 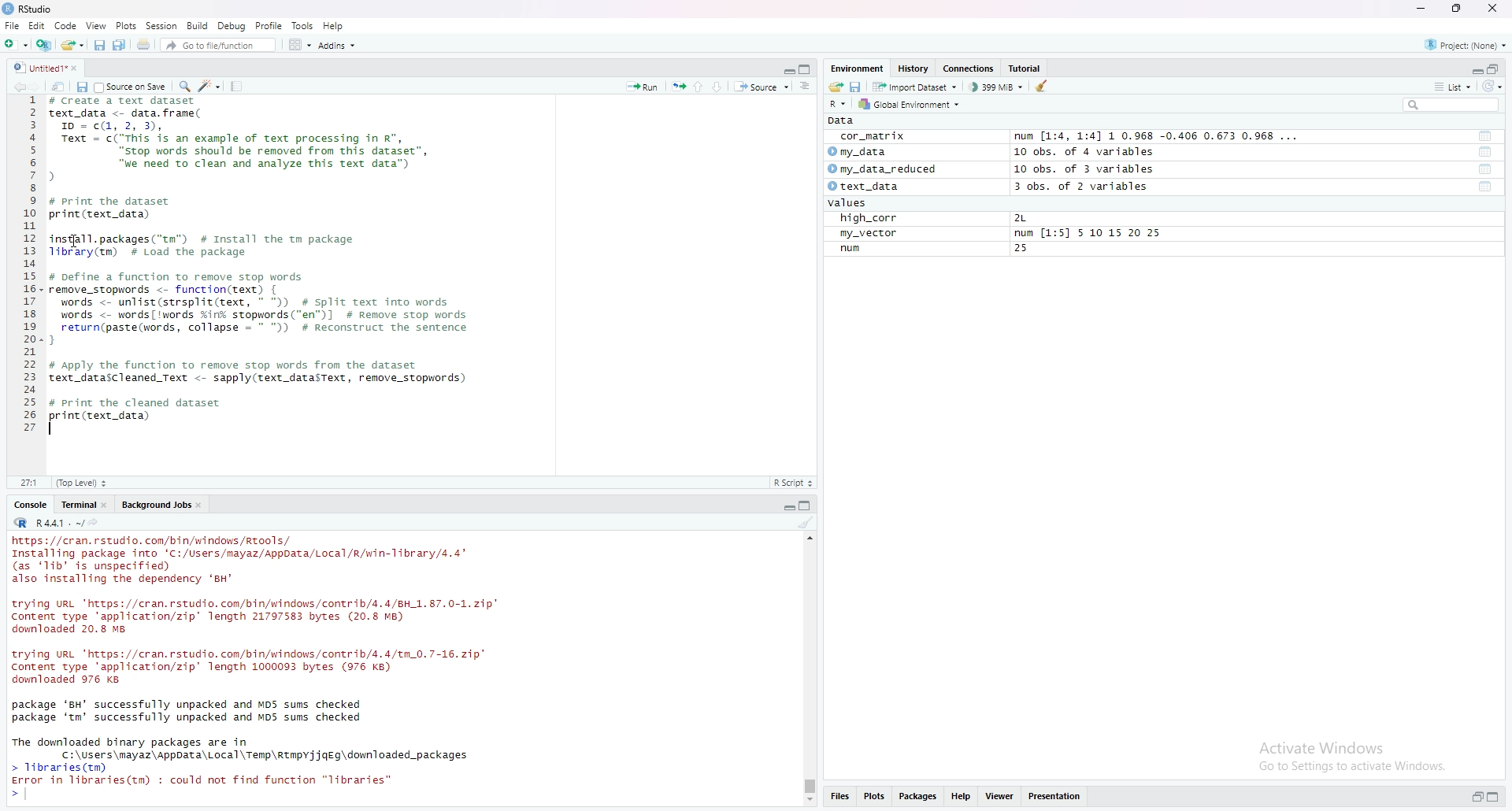 I want to click on show document online, so click(x=806, y=87).